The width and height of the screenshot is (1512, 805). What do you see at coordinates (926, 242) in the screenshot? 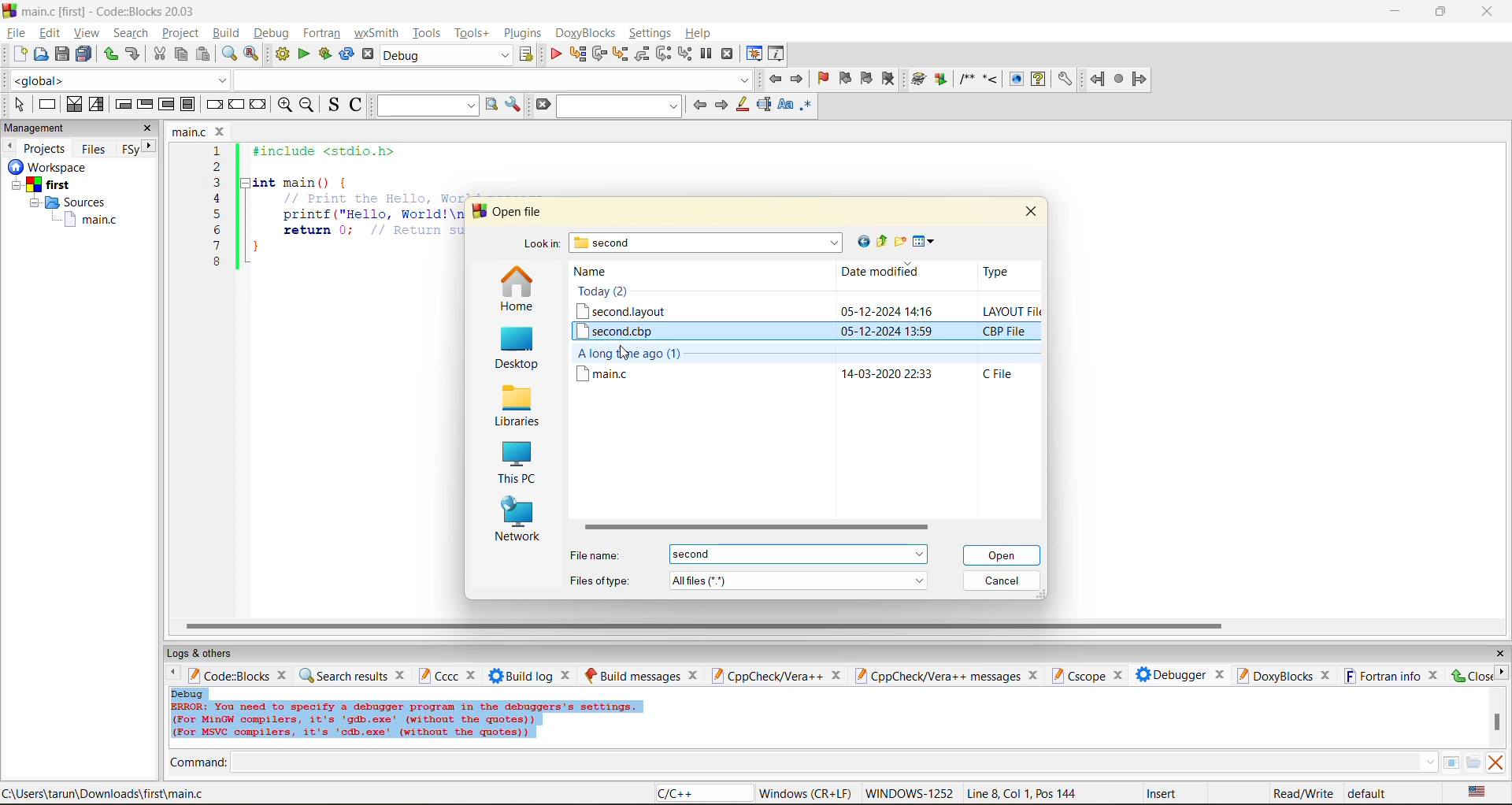
I see `view menu` at bounding box center [926, 242].